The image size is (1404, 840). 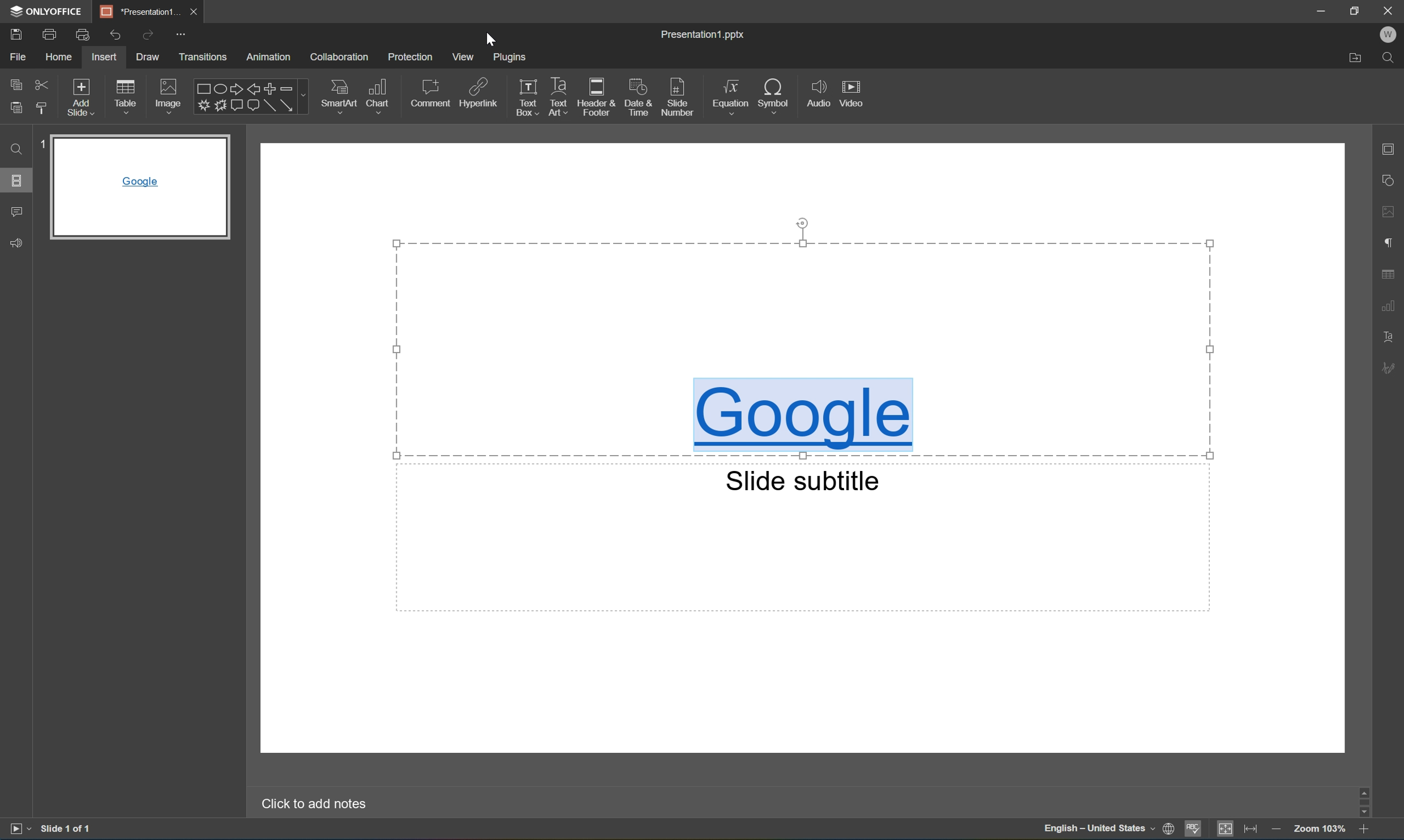 I want to click on Zoom out, so click(x=1279, y=830).